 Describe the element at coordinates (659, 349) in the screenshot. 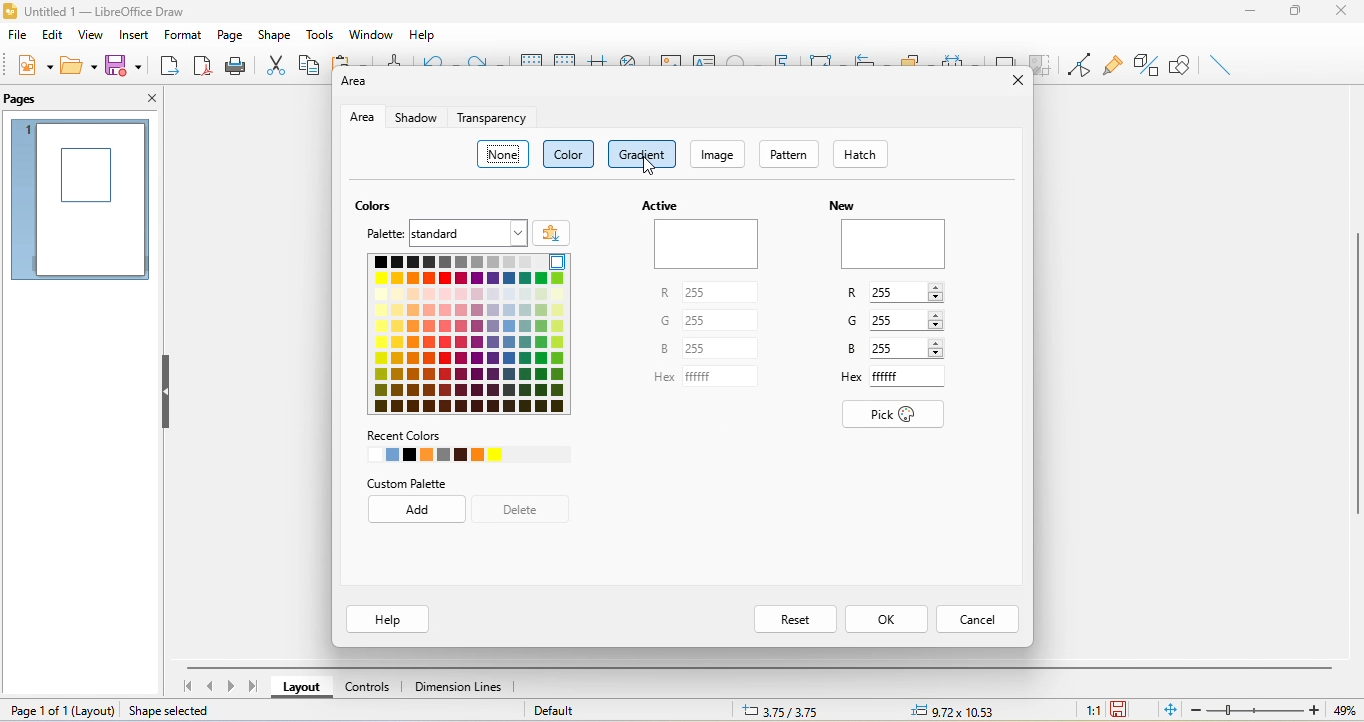

I see `b` at that location.